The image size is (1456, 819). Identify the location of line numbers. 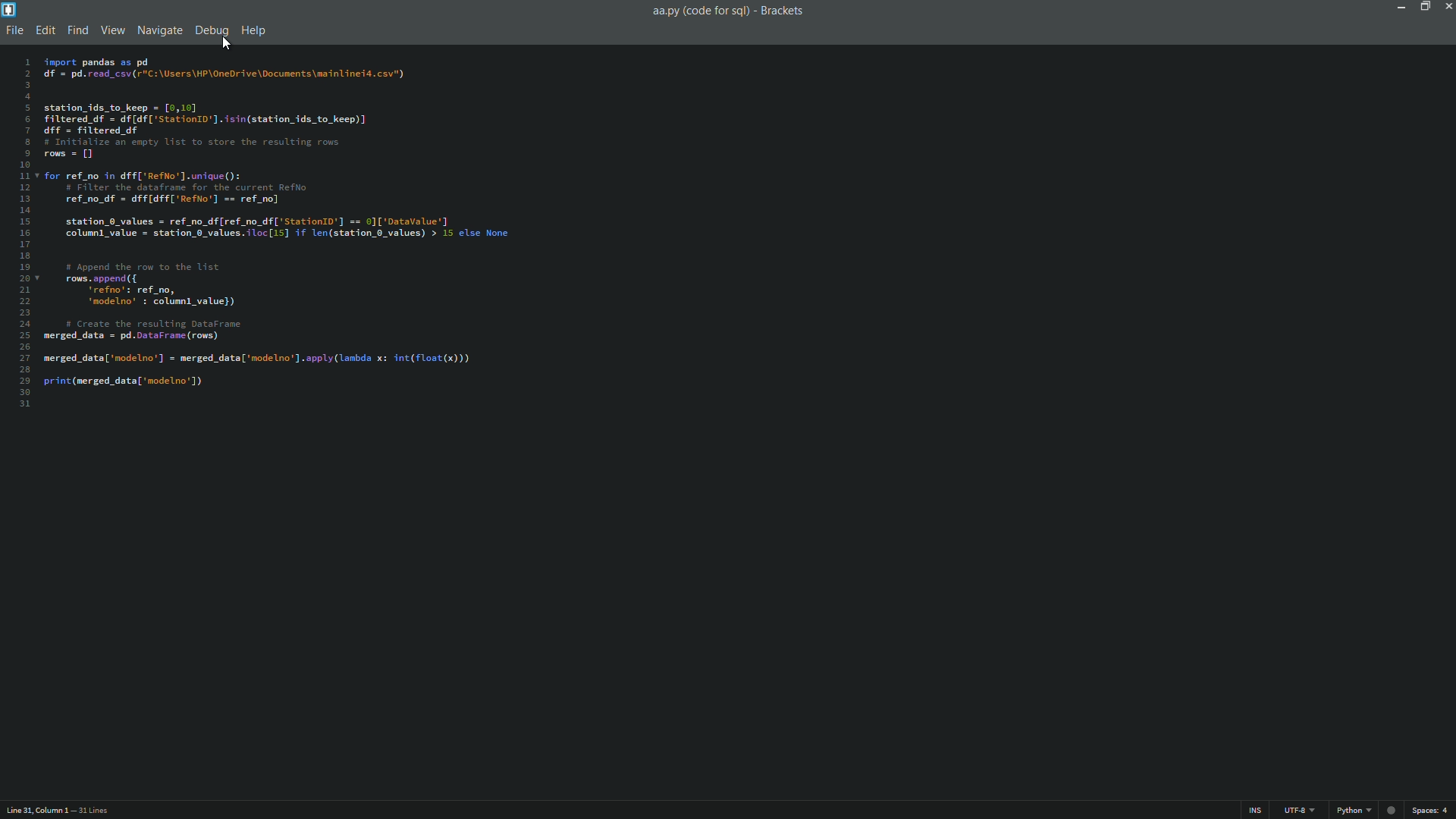
(24, 233).